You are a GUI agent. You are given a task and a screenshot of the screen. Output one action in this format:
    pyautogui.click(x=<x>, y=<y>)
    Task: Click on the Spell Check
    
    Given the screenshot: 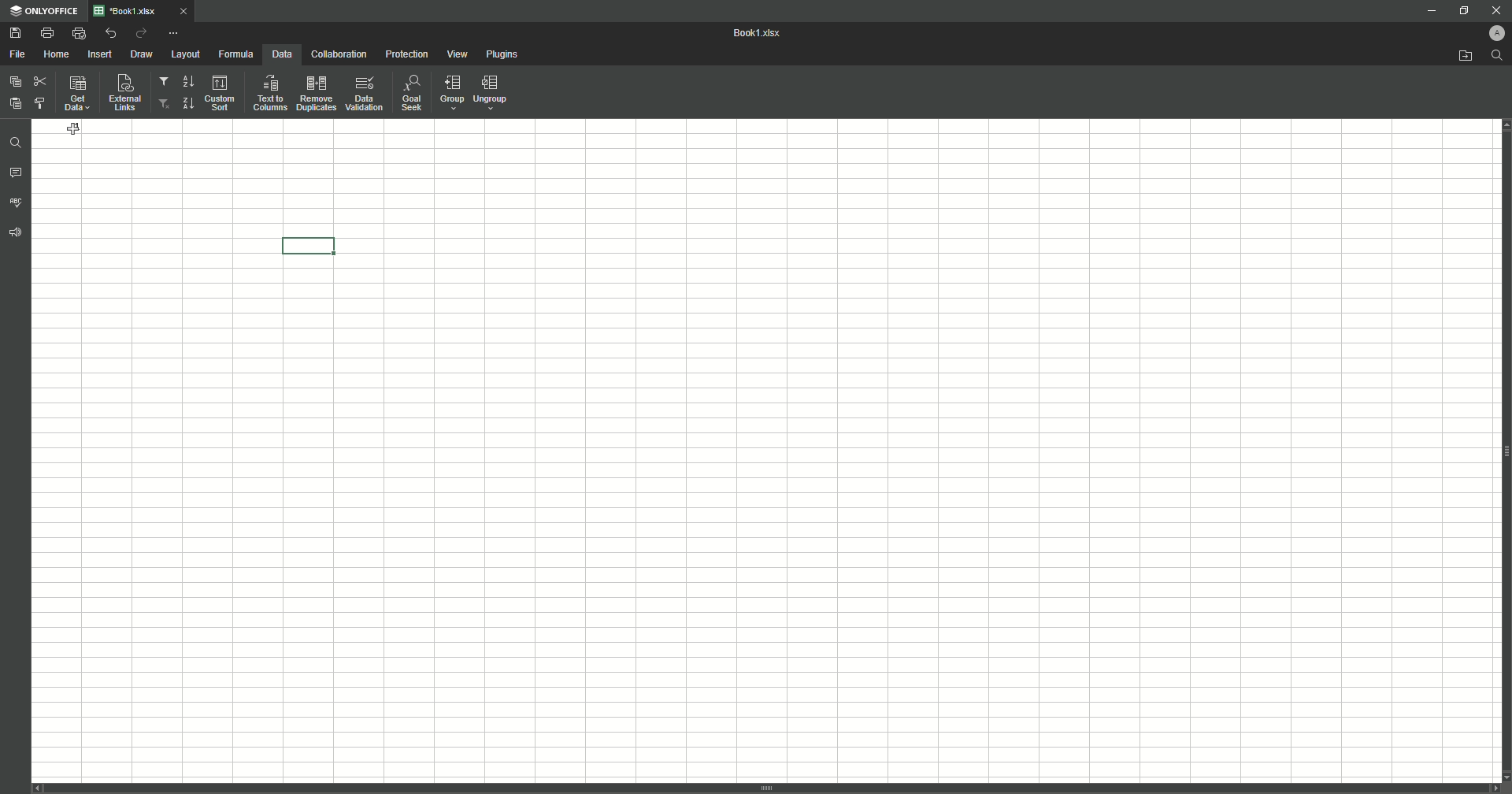 What is the action you would take?
    pyautogui.click(x=17, y=202)
    